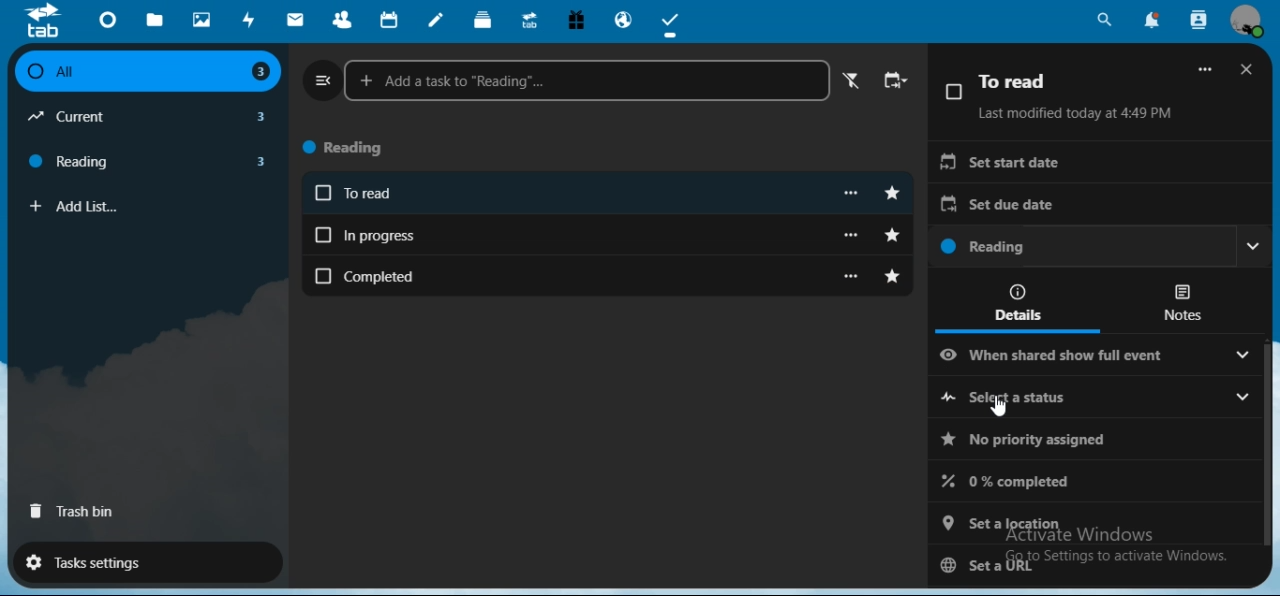 This screenshot has width=1280, height=596. I want to click on trash bin, so click(74, 514).